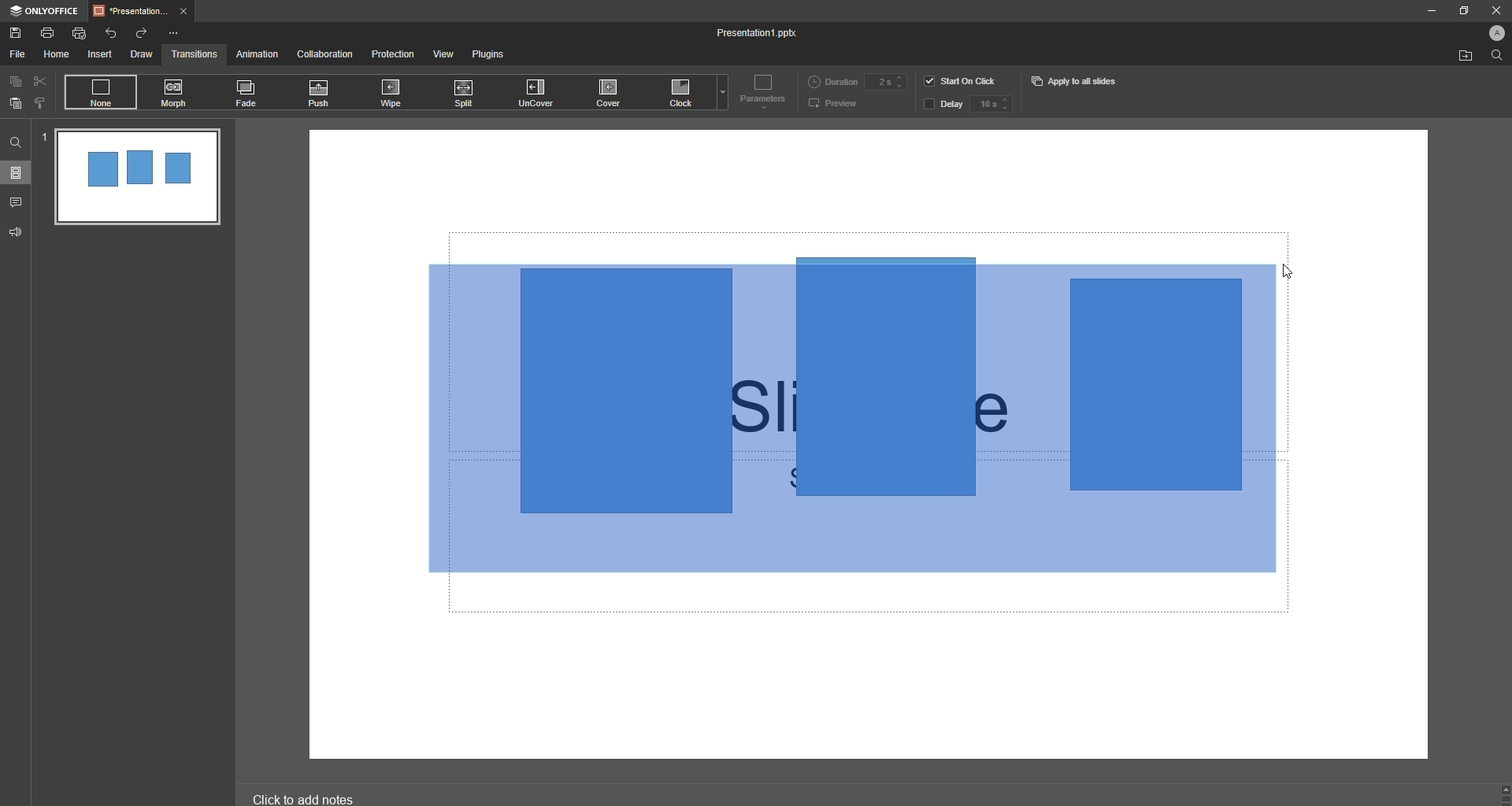  I want to click on Home, so click(57, 55).